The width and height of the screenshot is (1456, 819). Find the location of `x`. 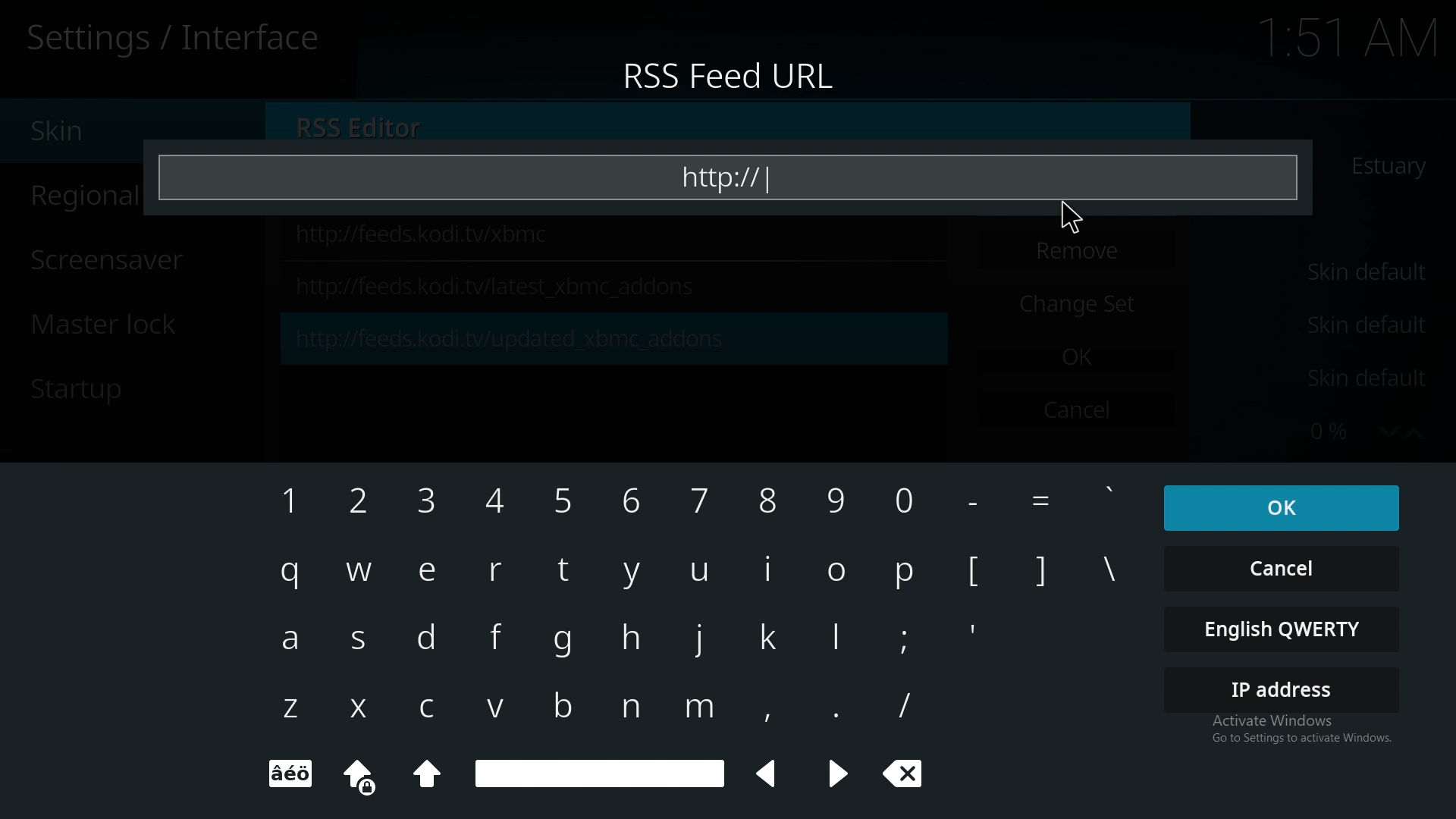

x is located at coordinates (353, 708).